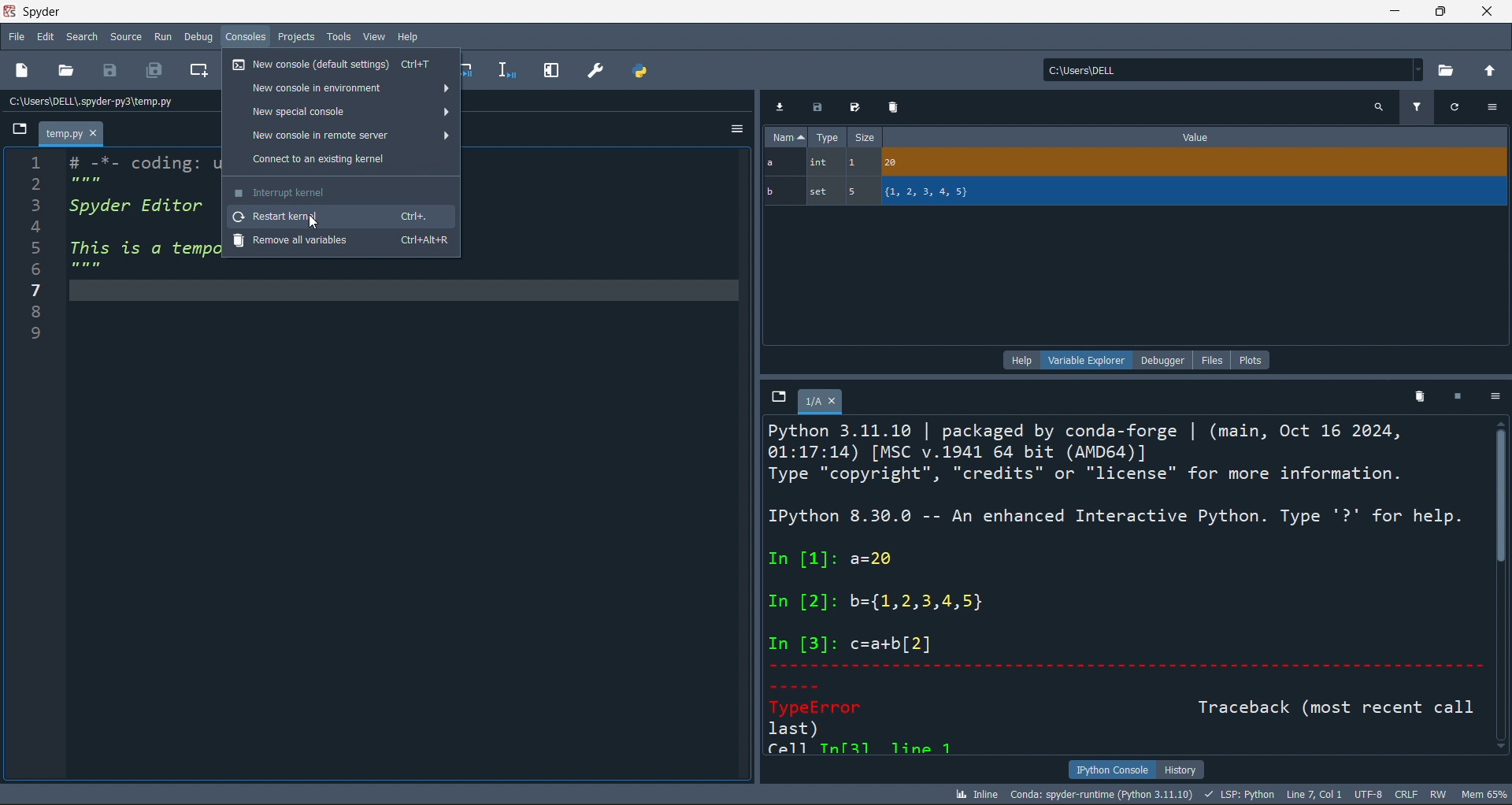 Image resolution: width=1512 pixels, height=805 pixels. Describe the element at coordinates (91, 102) in the screenshot. I see `c:\users\dell\.spyder-py3\temp.py` at that location.